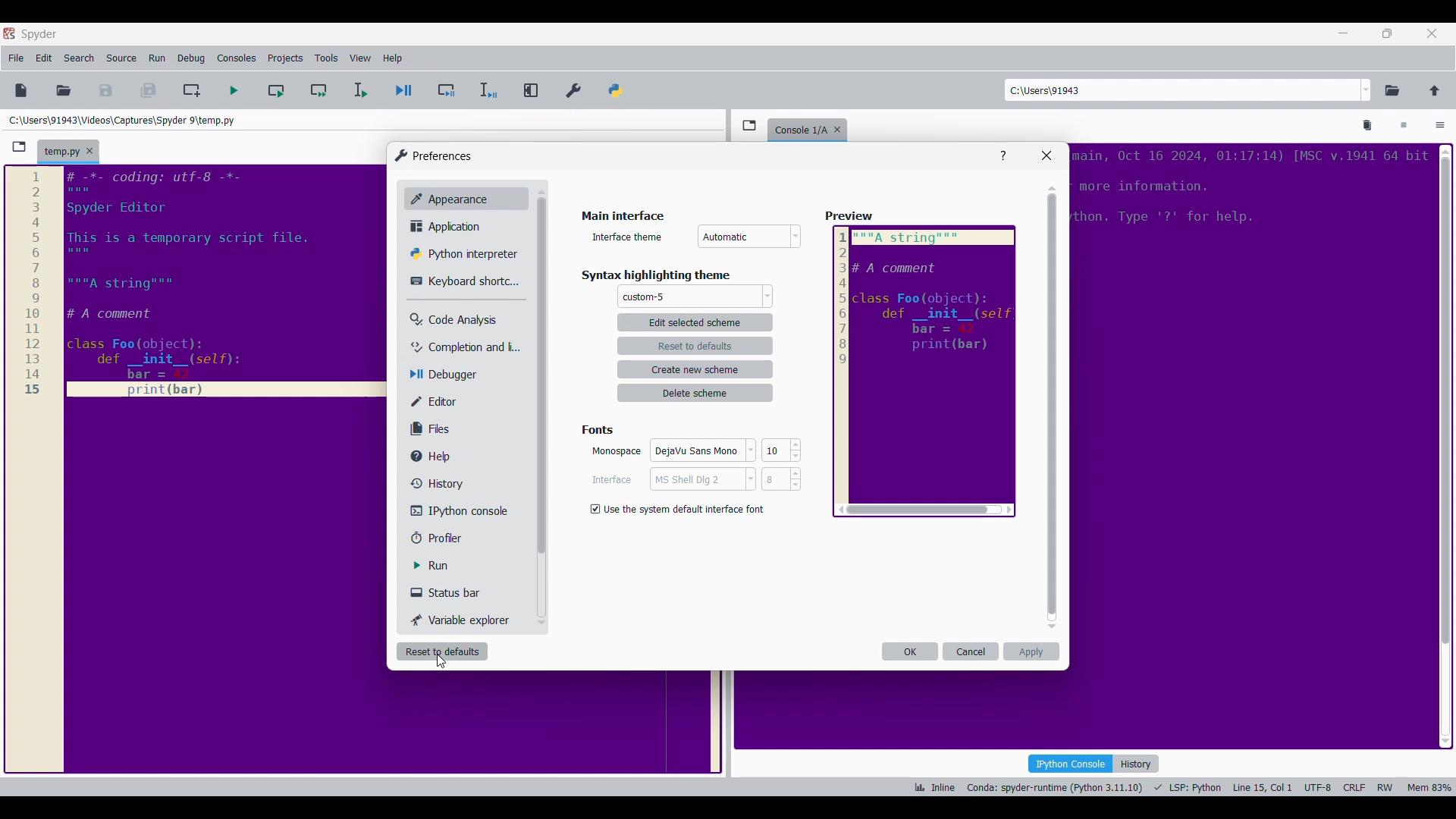 The image size is (1456, 819). Describe the element at coordinates (467, 621) in the screenshot. I see `Variable explorer` at that location.